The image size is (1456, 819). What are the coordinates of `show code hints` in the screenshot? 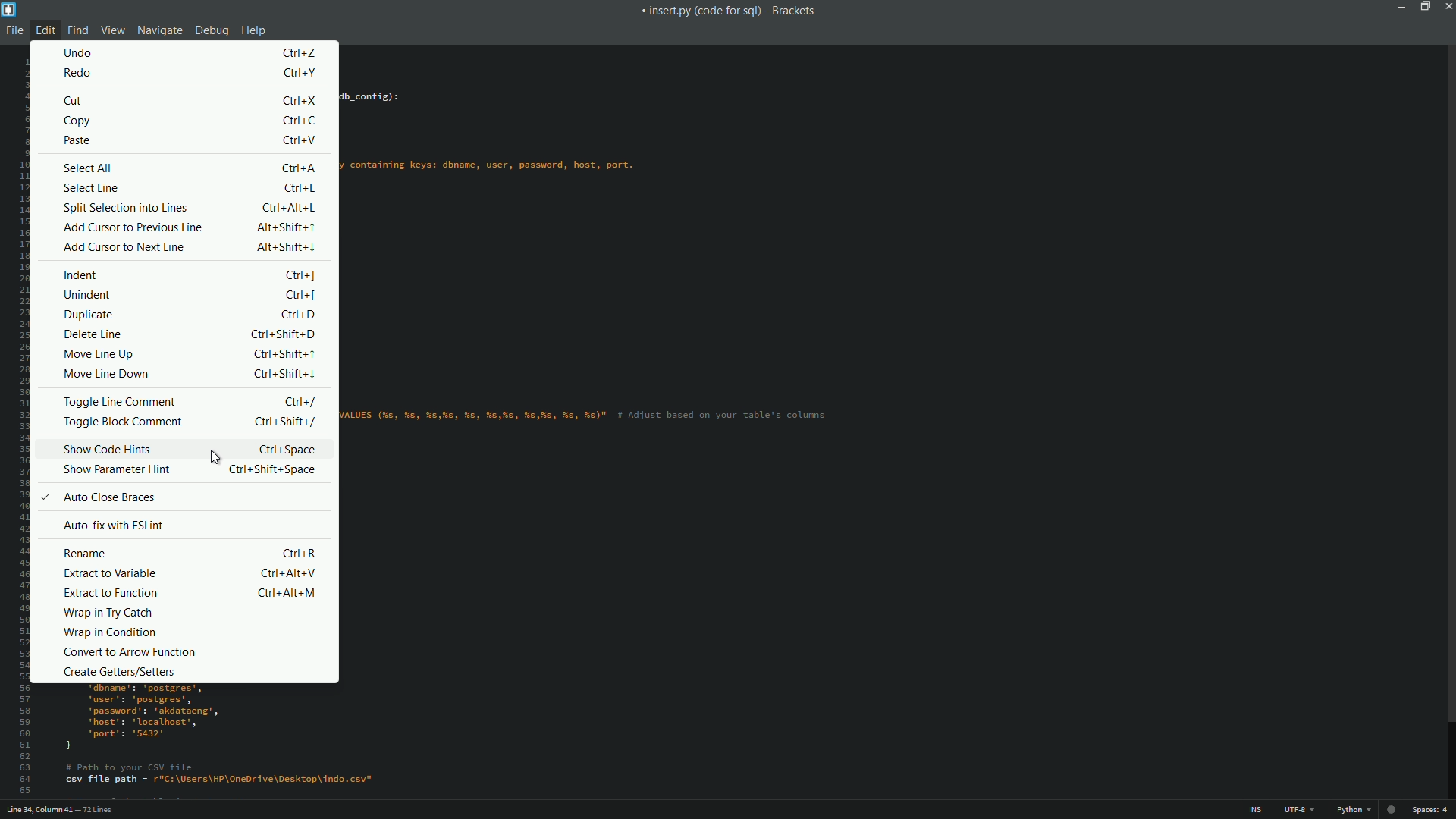 It's located at (108, 449).